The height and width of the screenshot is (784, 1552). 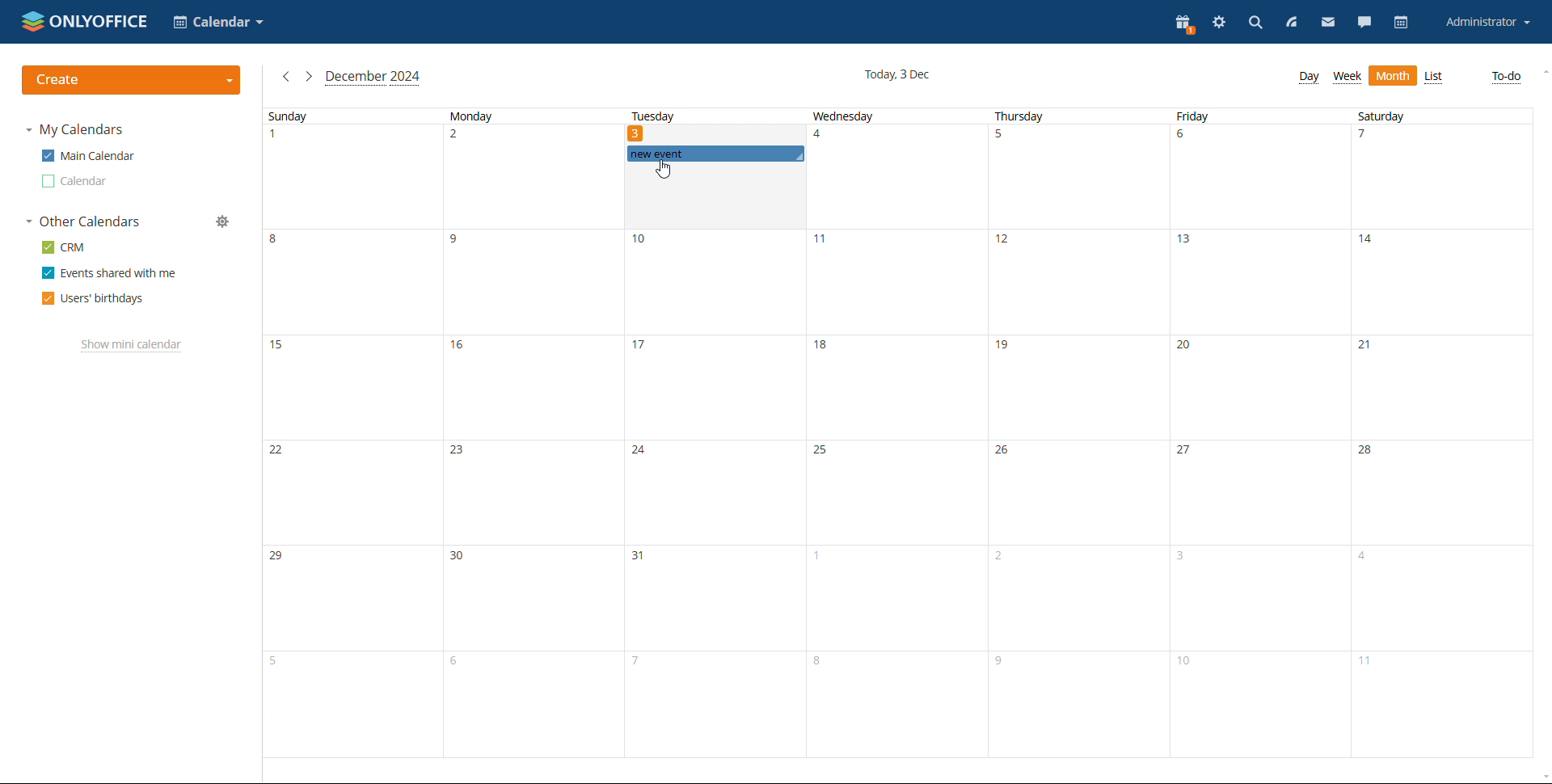 What do you see at coordinates (1365, 23) in the screenshot?
I see `chat` at bounding box center [1365, 23].